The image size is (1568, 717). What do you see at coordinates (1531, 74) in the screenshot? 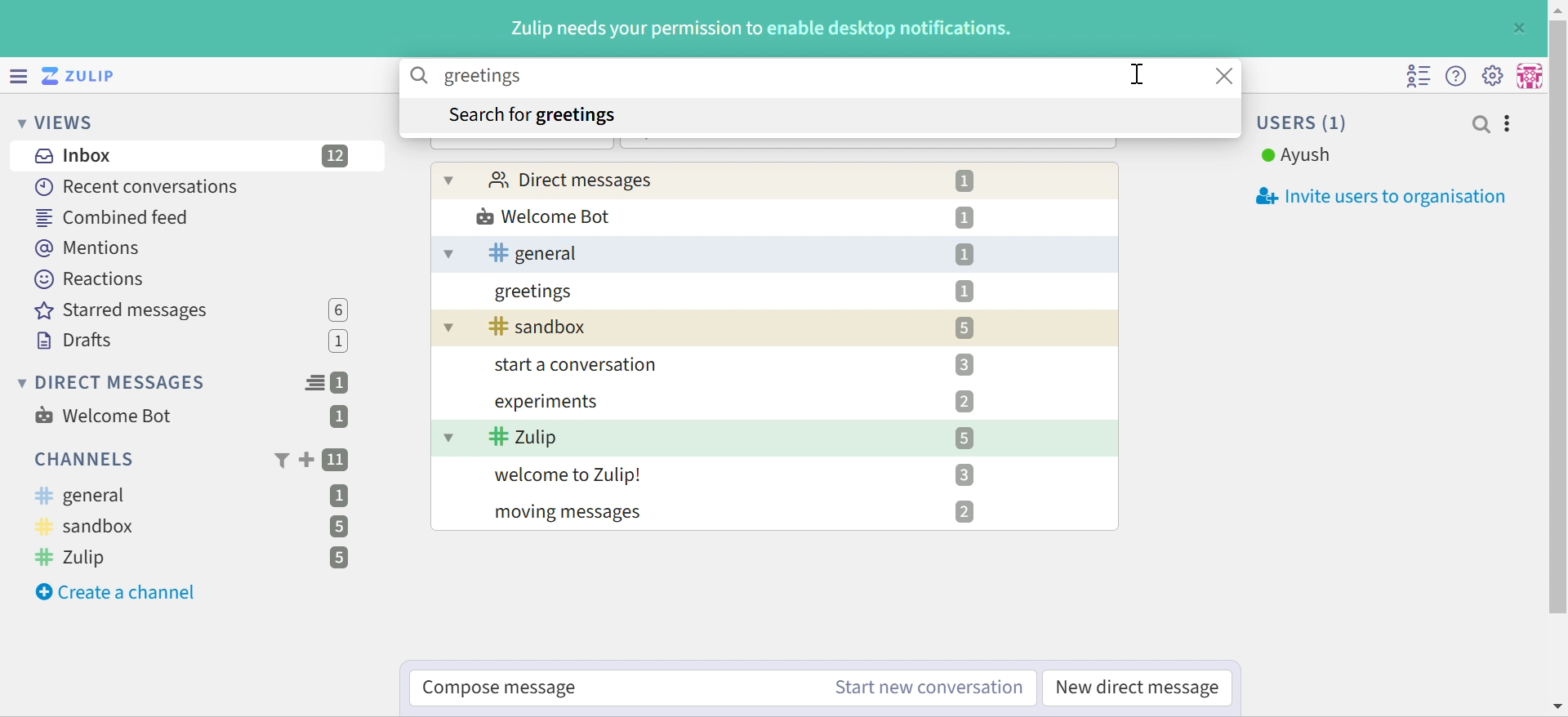
I see `Personal menu` at bounding box center [1531, 74].